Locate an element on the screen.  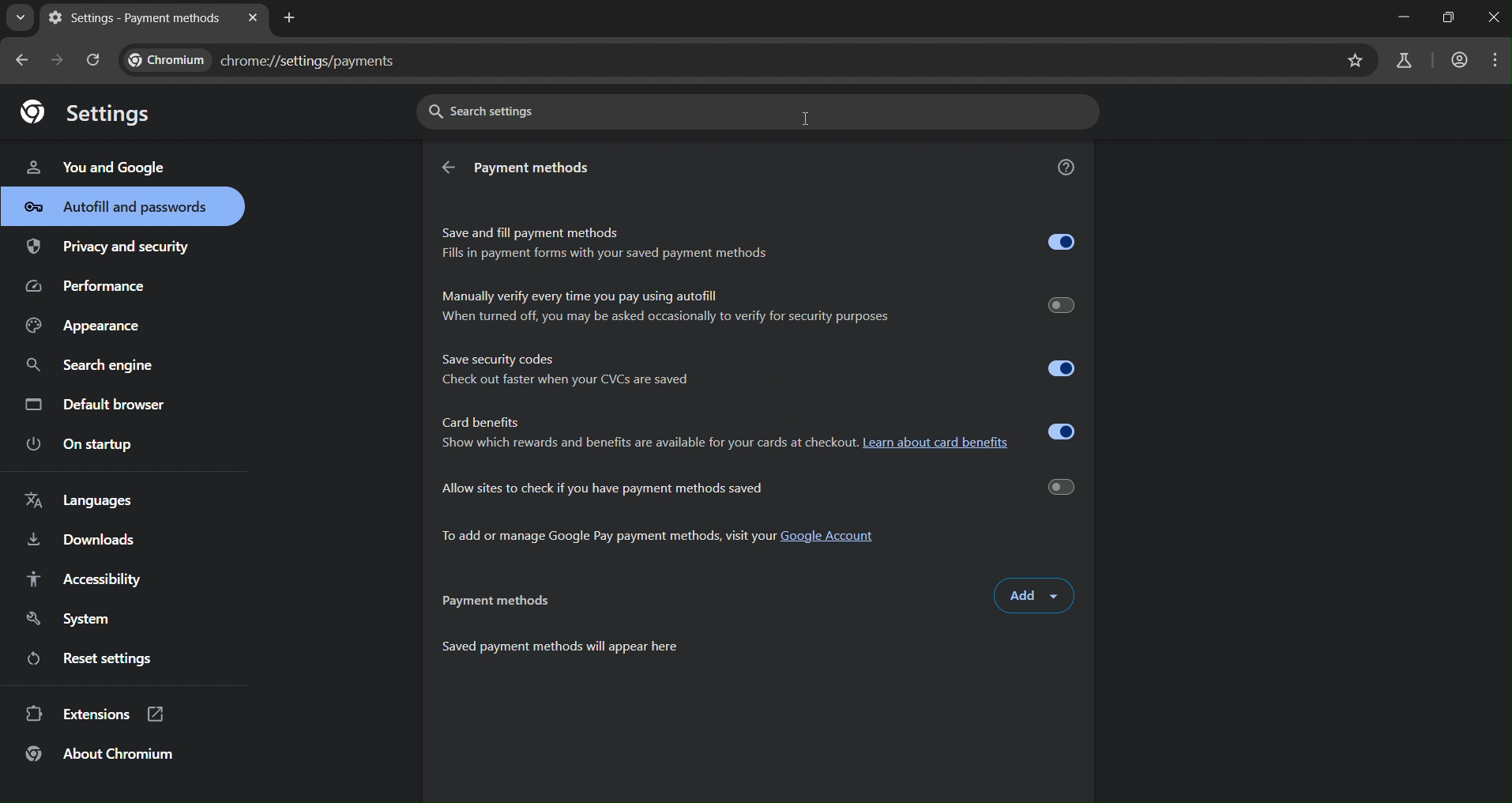
you & google is located at coordinates (100, 167).